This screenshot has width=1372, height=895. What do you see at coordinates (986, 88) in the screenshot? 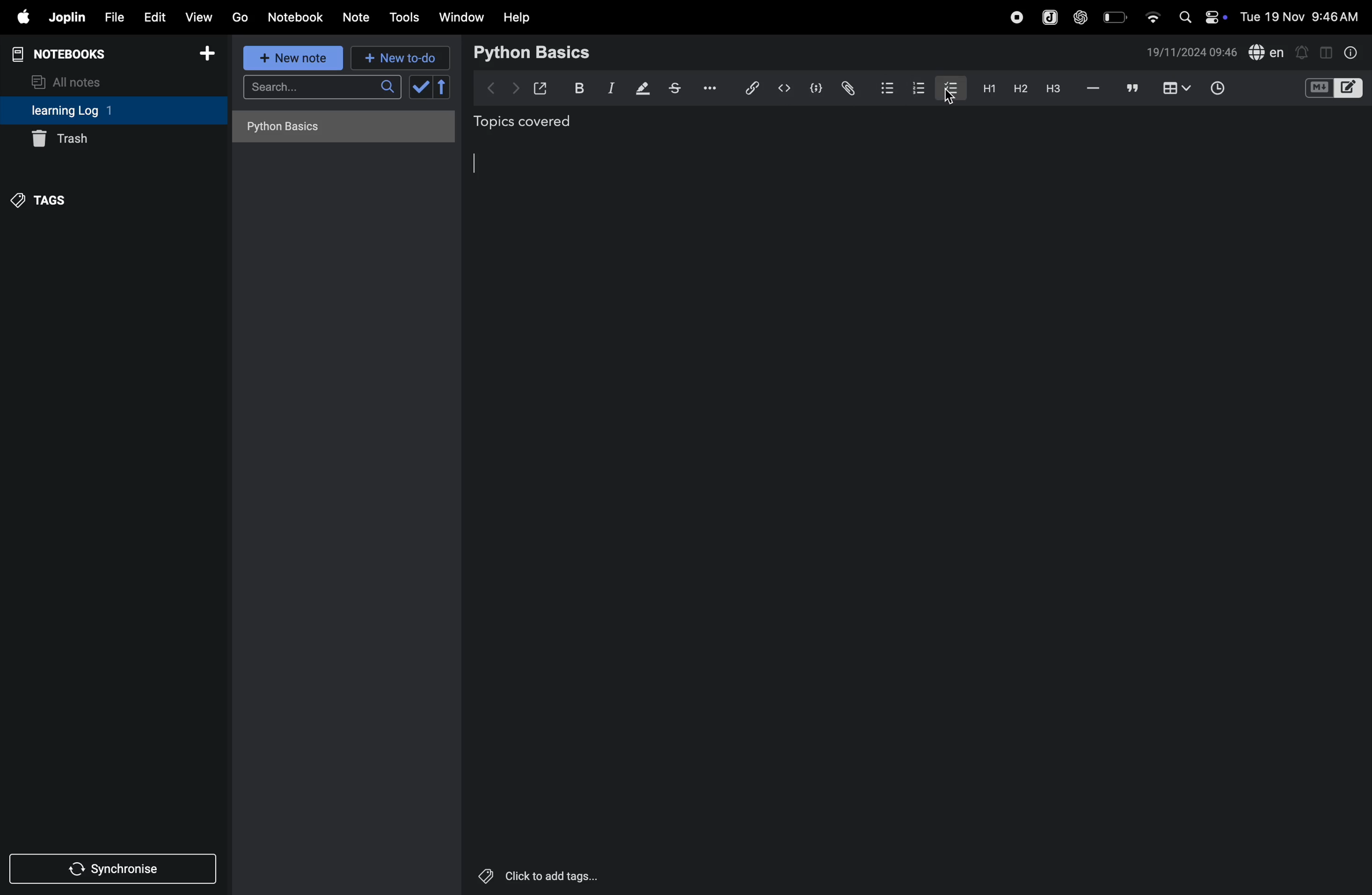
I see `h1` at bounding box center [986, 88].